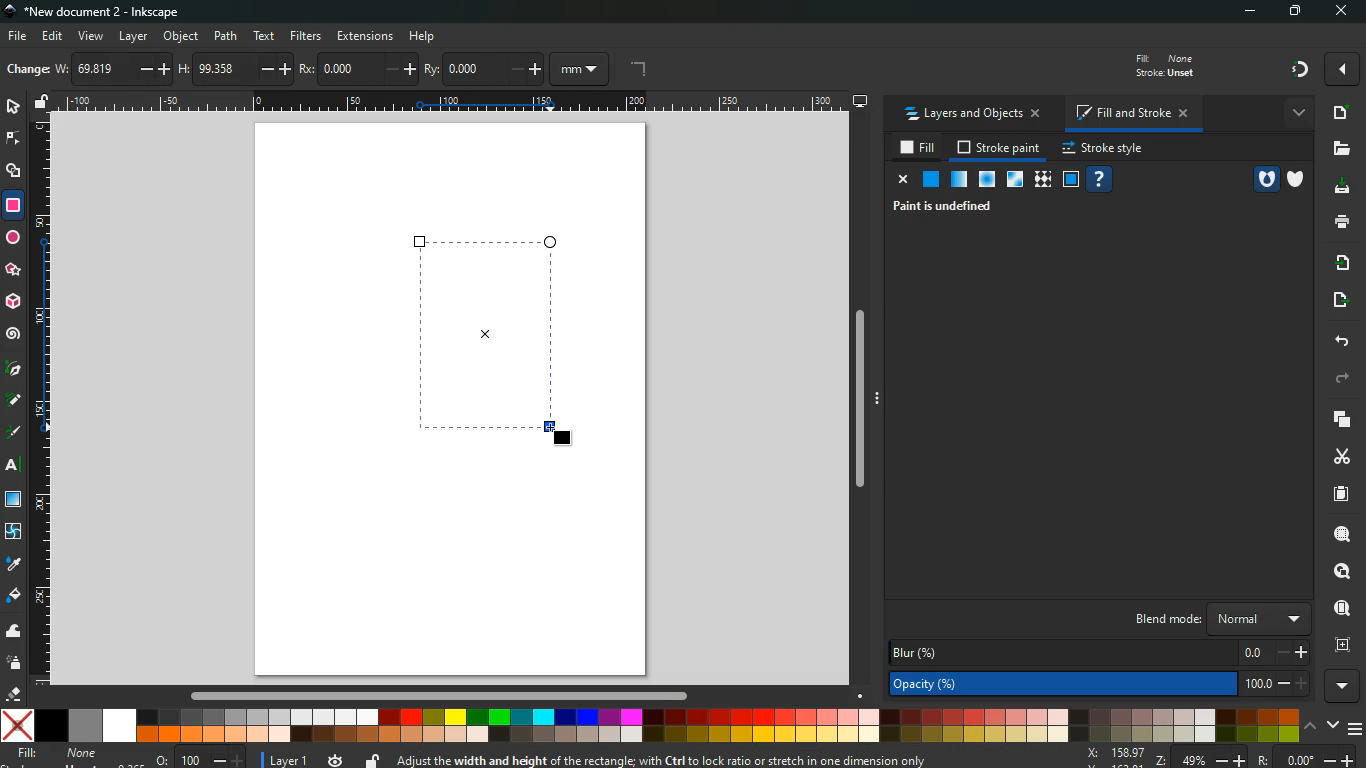  Describe the element at coordinates (14, 303) in the screenshot. I see `3d tool` at that location.